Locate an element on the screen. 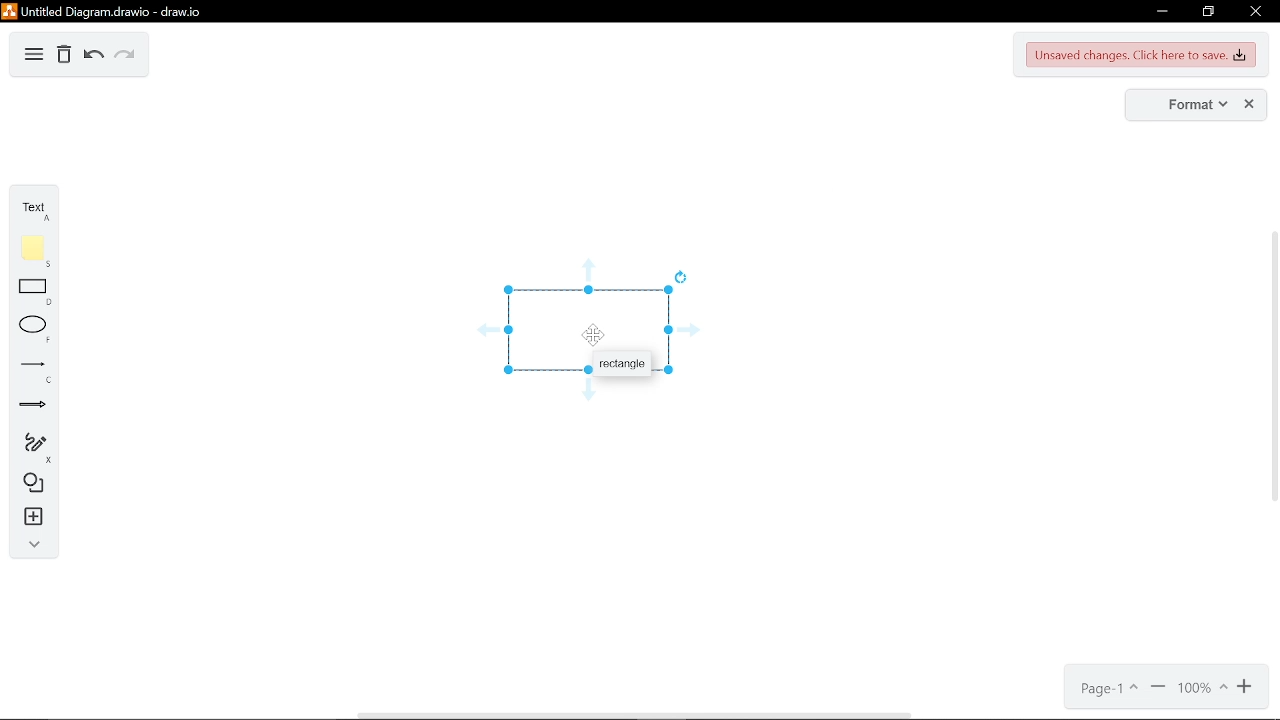  rectangle is located at coordinates (622, 363).